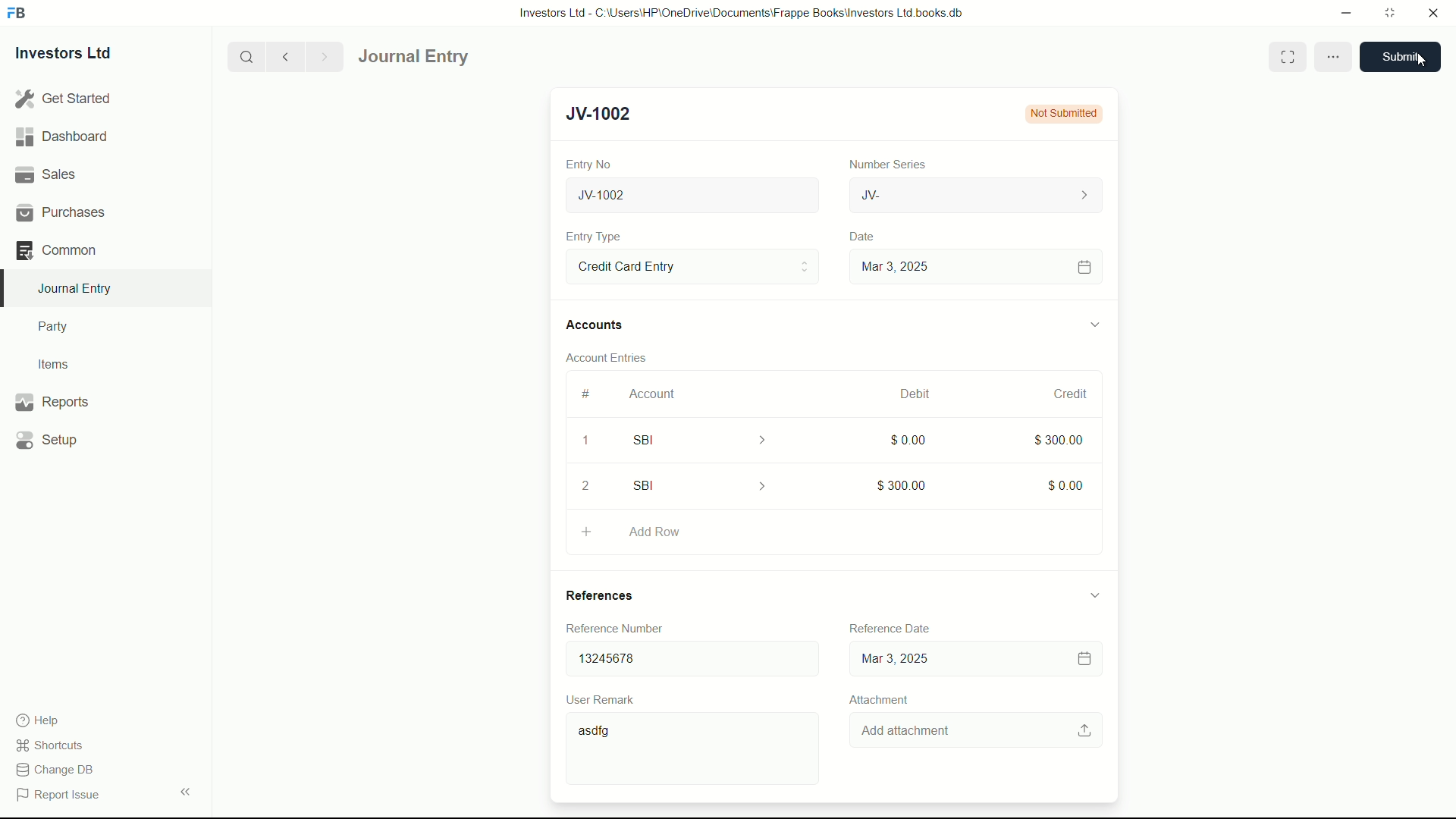  Describe the element at coordinates (1389, 11) in the screenshot. I see `maximize` at that location.